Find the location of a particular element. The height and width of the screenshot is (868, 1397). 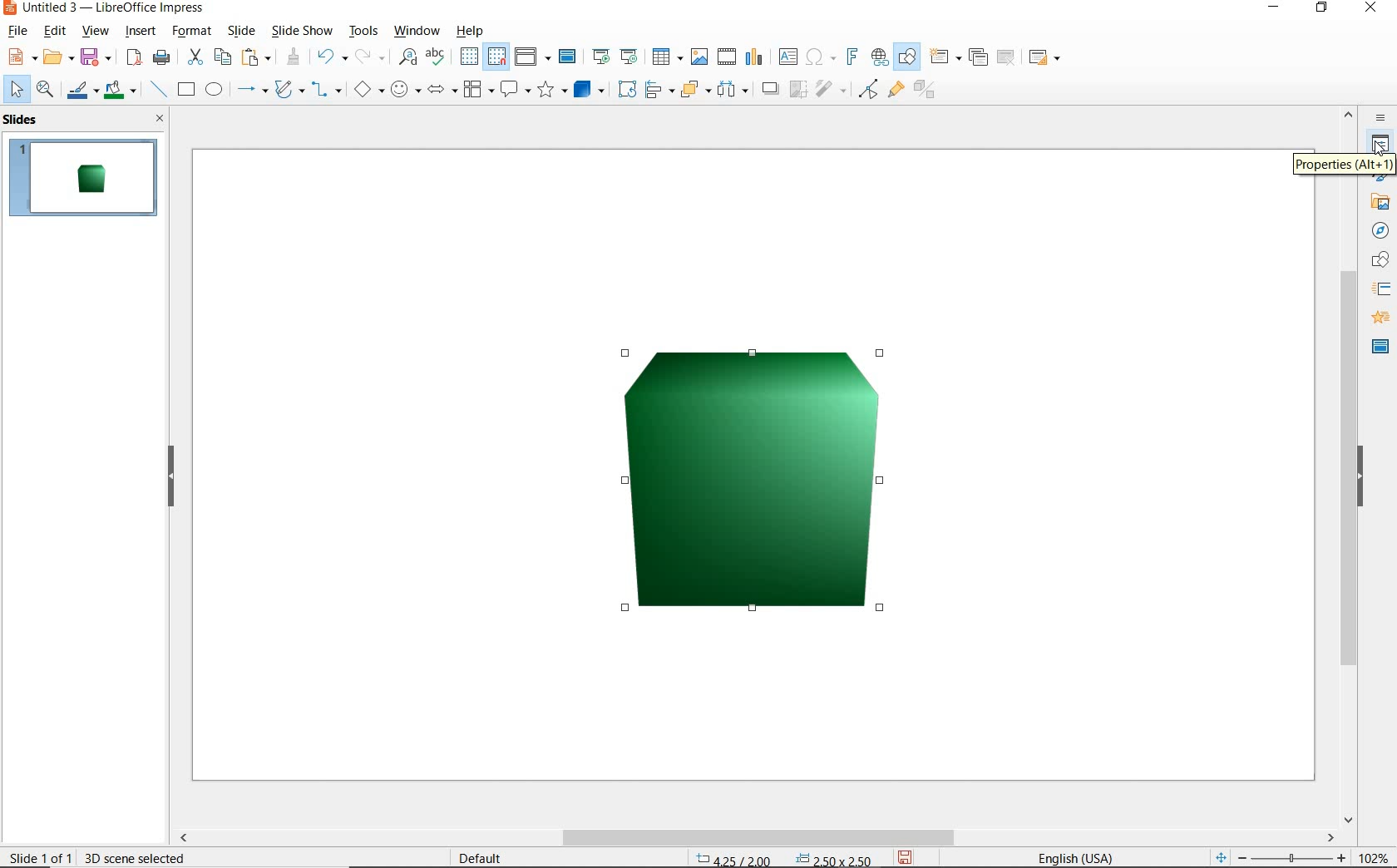

SLIDES is located at coordinates (26, 121).